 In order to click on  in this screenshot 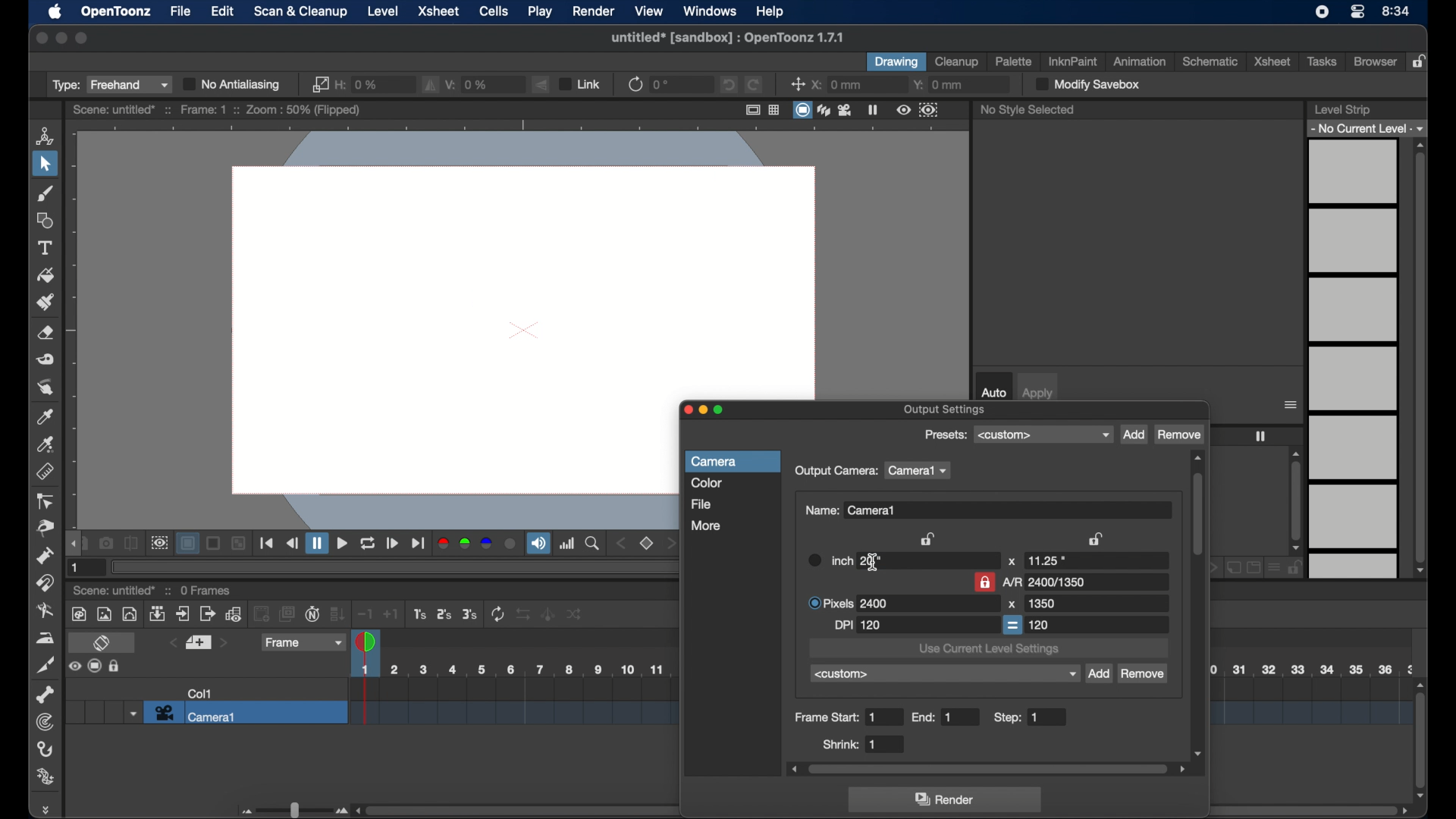, I will do `click(392, 546)`.